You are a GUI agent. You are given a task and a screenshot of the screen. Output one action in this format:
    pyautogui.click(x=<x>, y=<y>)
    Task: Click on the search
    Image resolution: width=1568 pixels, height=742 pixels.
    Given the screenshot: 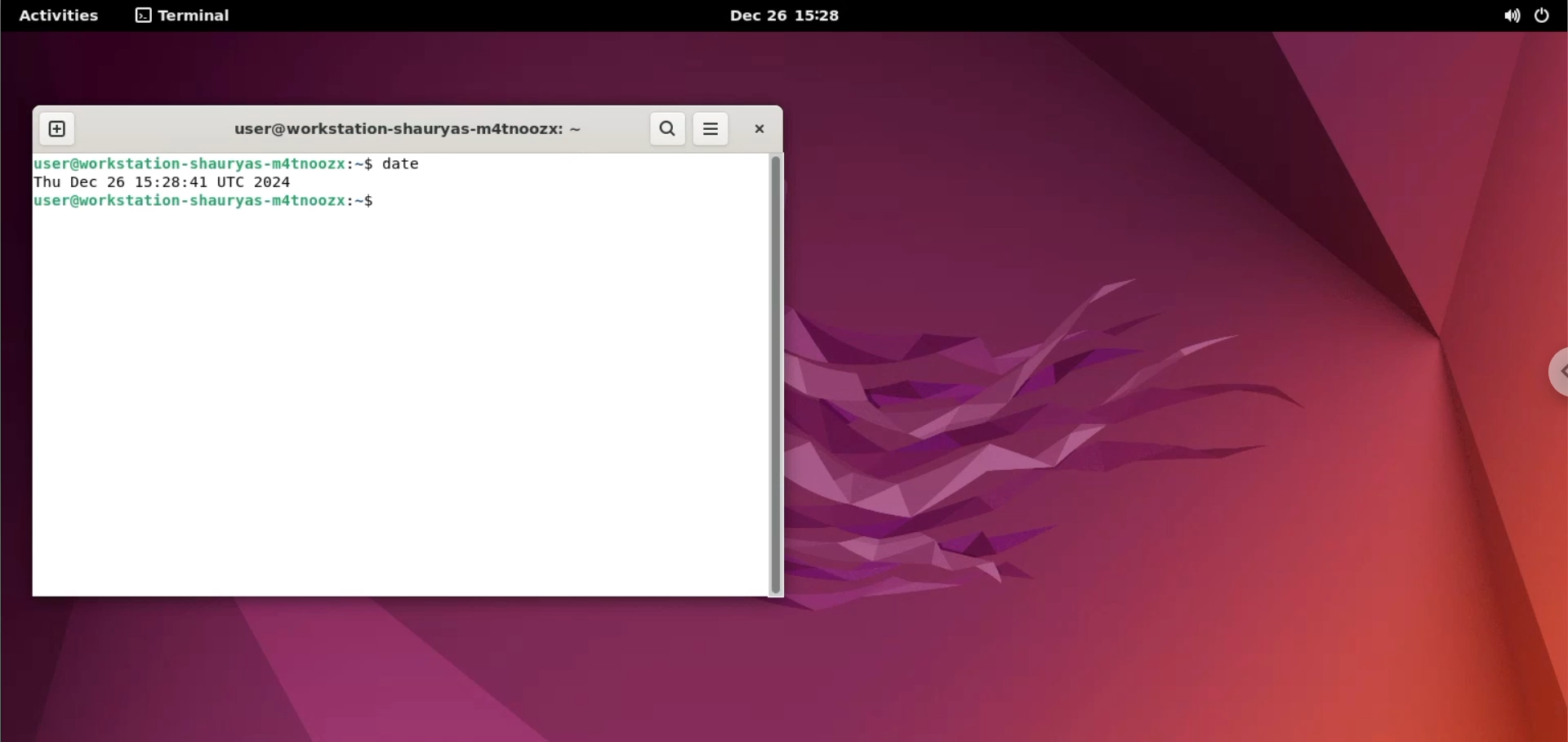 What is the action you would take?
    pyautogui.click(x=669, y=129)
    